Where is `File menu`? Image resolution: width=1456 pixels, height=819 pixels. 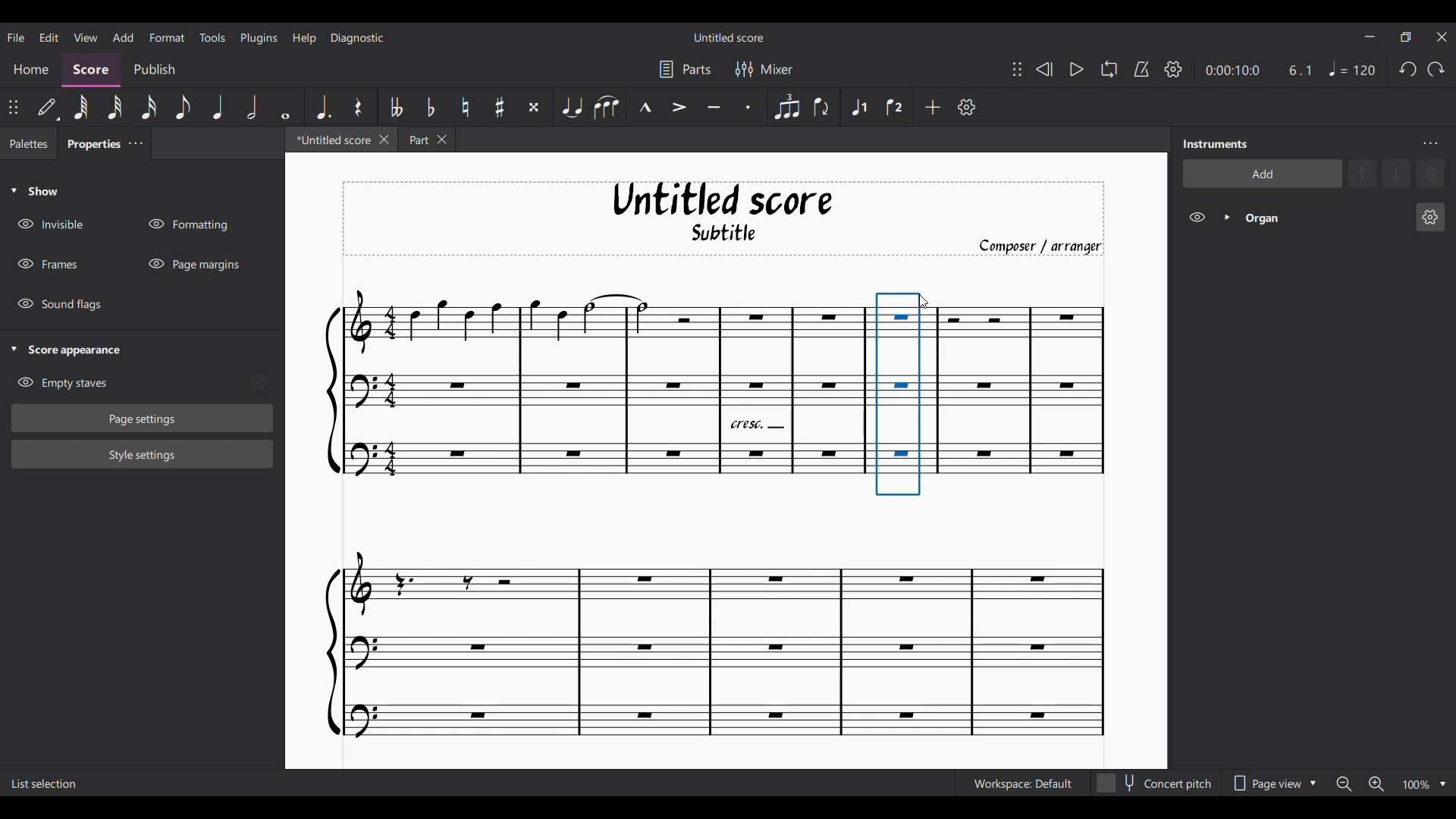 File menu is located at coordinates (16, 36).